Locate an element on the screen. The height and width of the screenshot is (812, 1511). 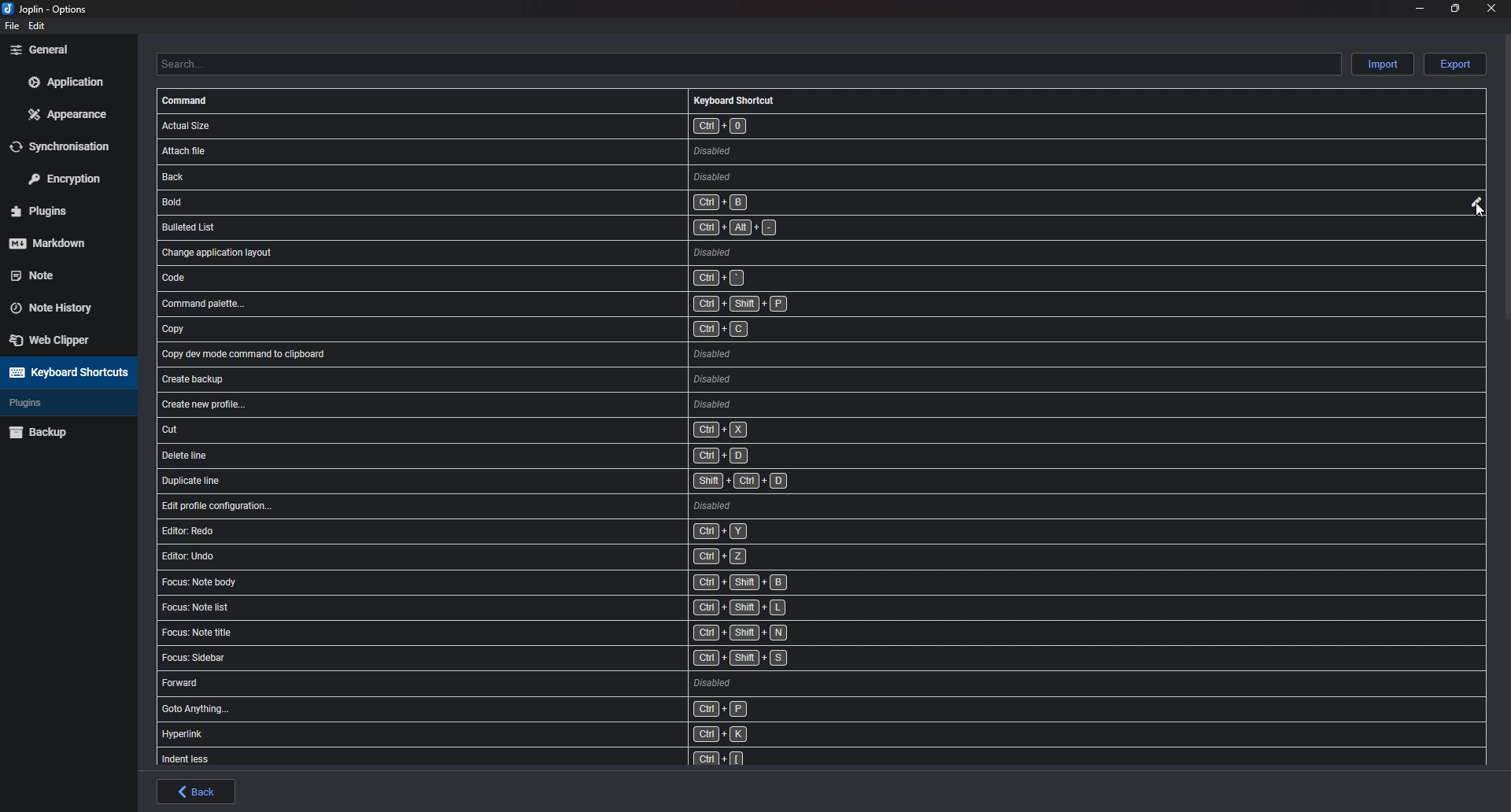
shortcut is located at coordinates (524, 556).